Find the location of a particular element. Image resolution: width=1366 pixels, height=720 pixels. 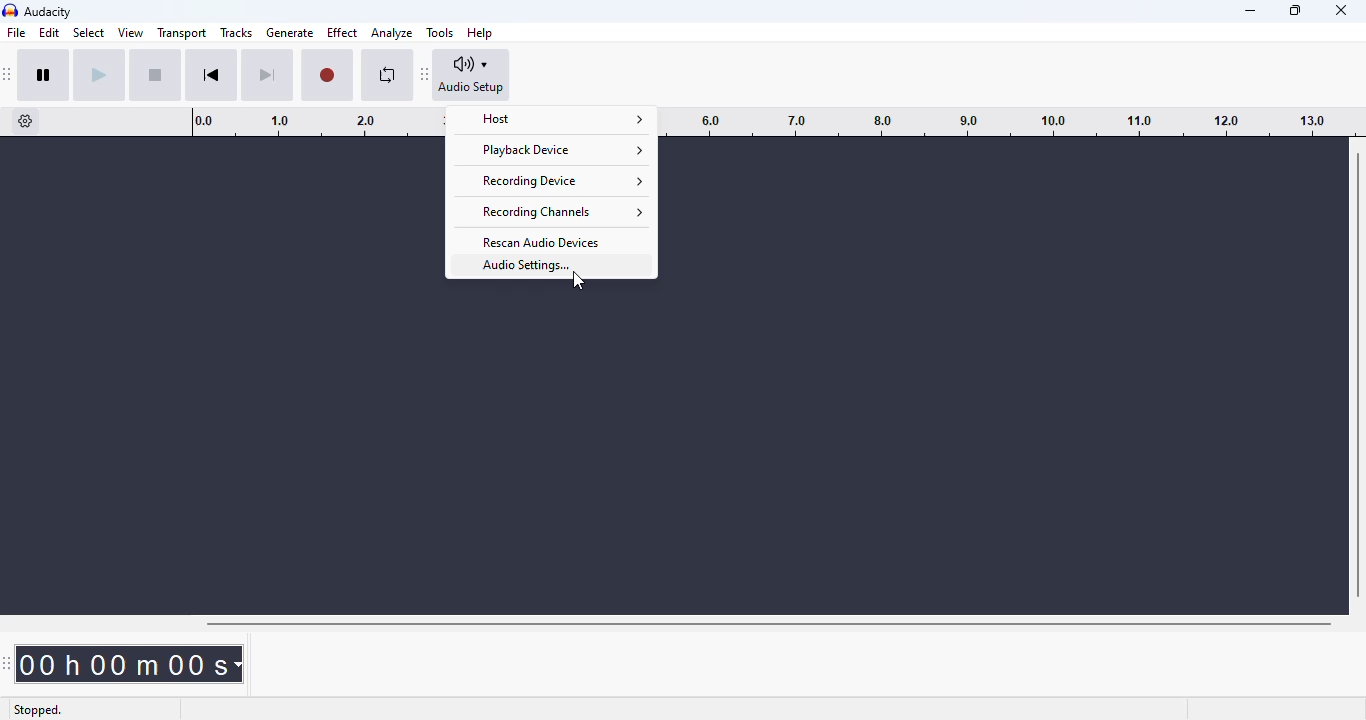

audacity time toolbar is located at coordinates (9, 663).